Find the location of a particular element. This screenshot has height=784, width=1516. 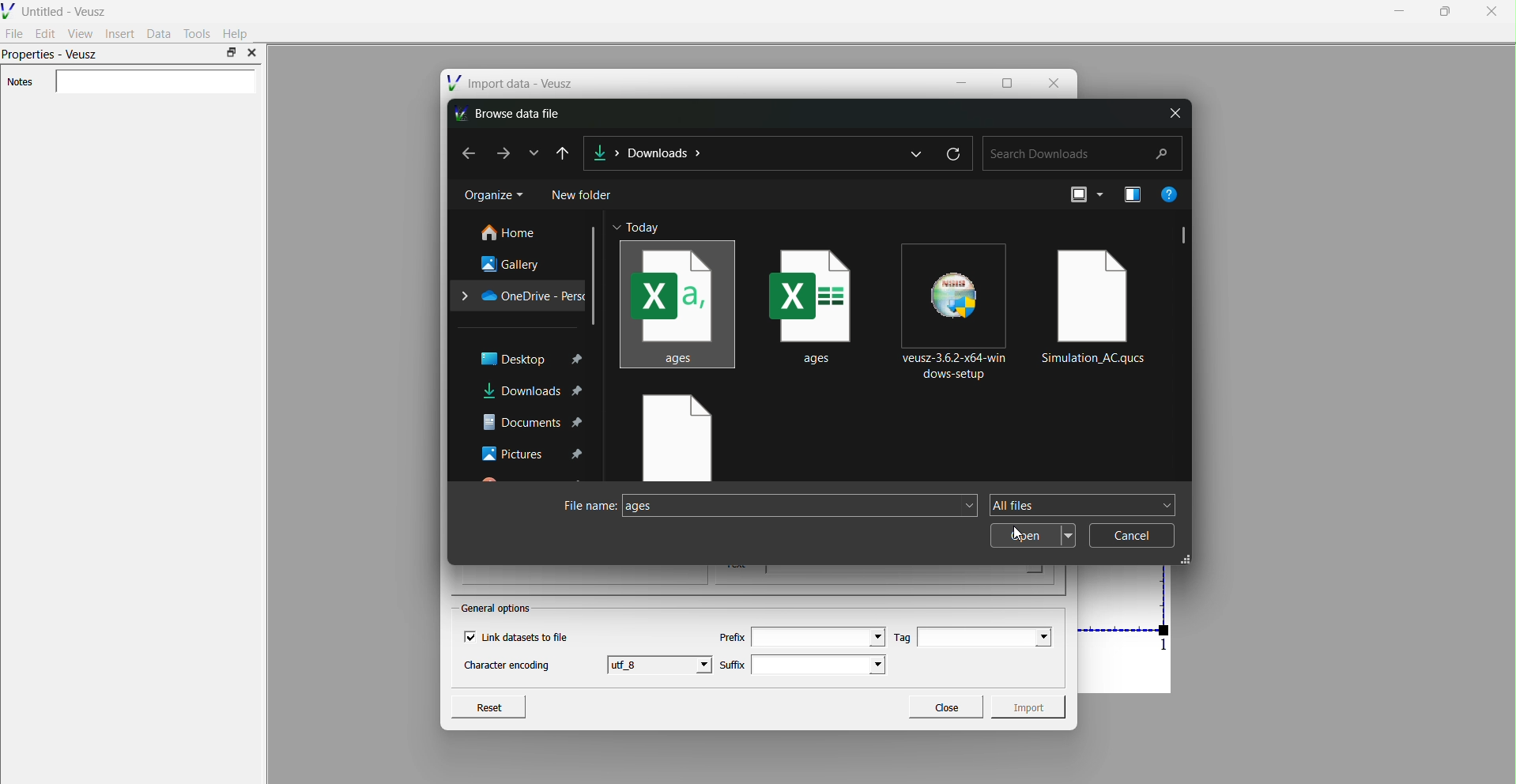

Edit is located at coordinates (46, 33).